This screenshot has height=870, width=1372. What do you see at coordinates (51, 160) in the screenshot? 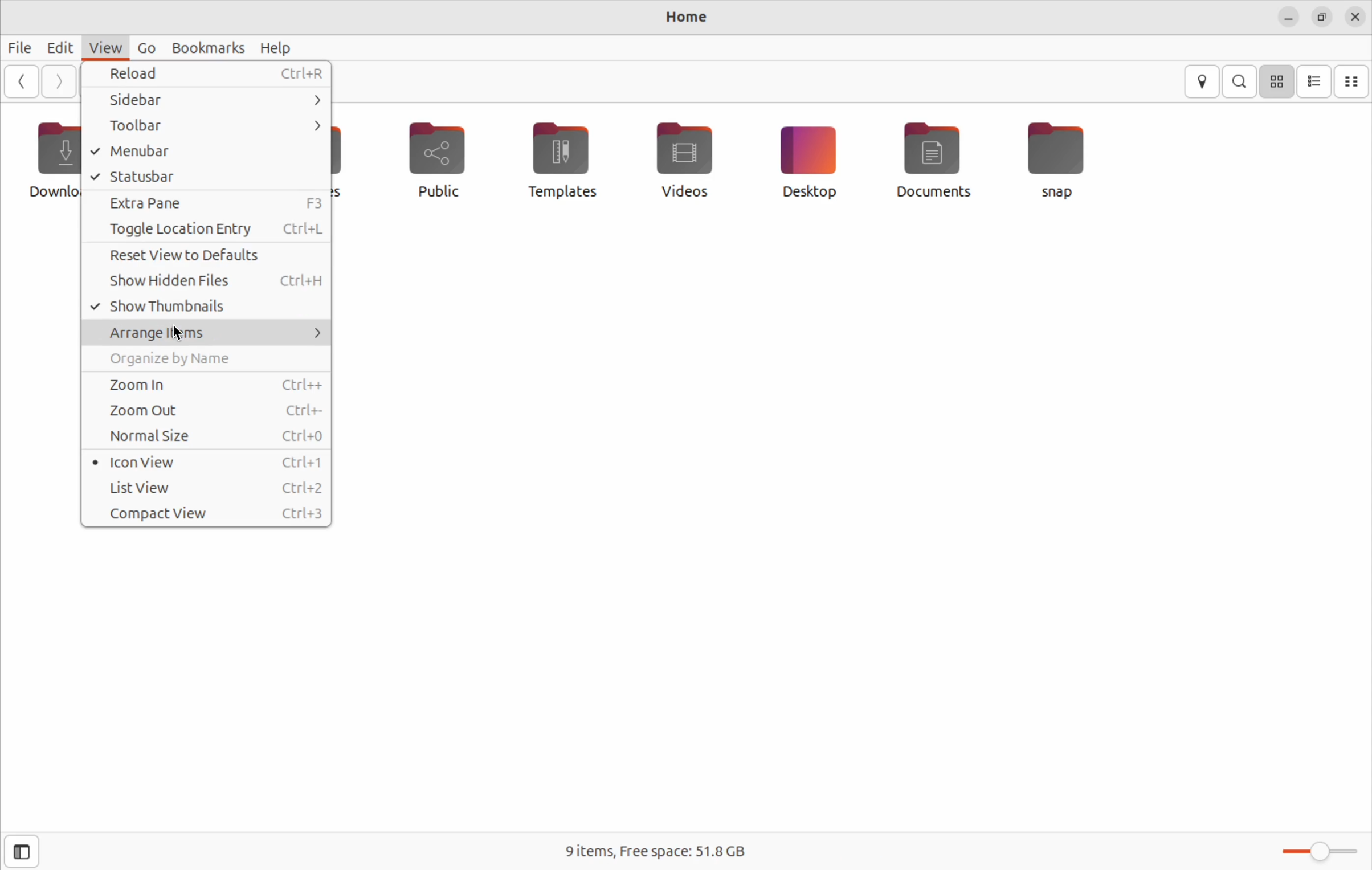
I see `downloads` at bounding box center [51, 160].